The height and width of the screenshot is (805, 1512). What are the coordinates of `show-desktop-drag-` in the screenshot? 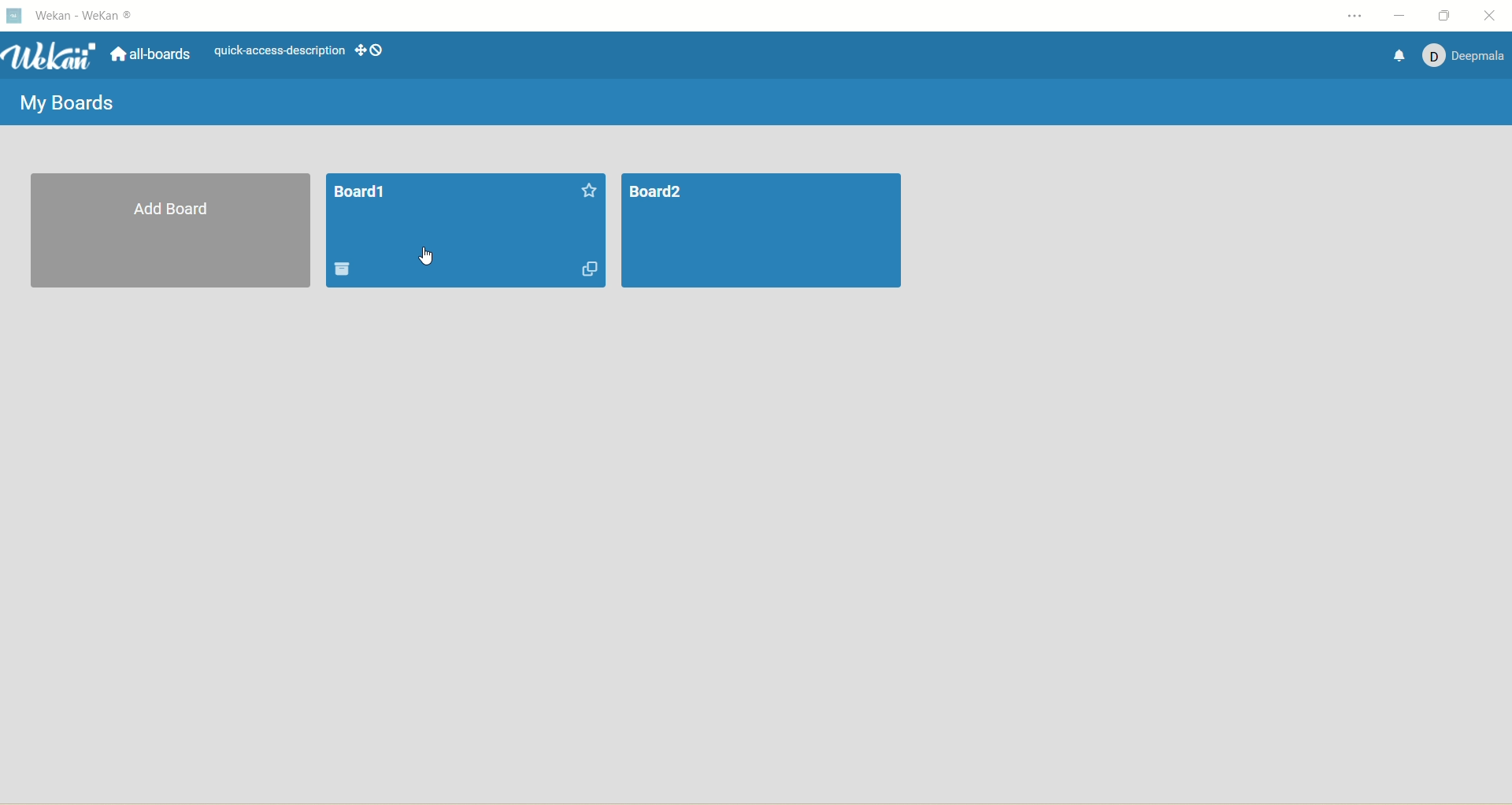 It's located at (370, 50).